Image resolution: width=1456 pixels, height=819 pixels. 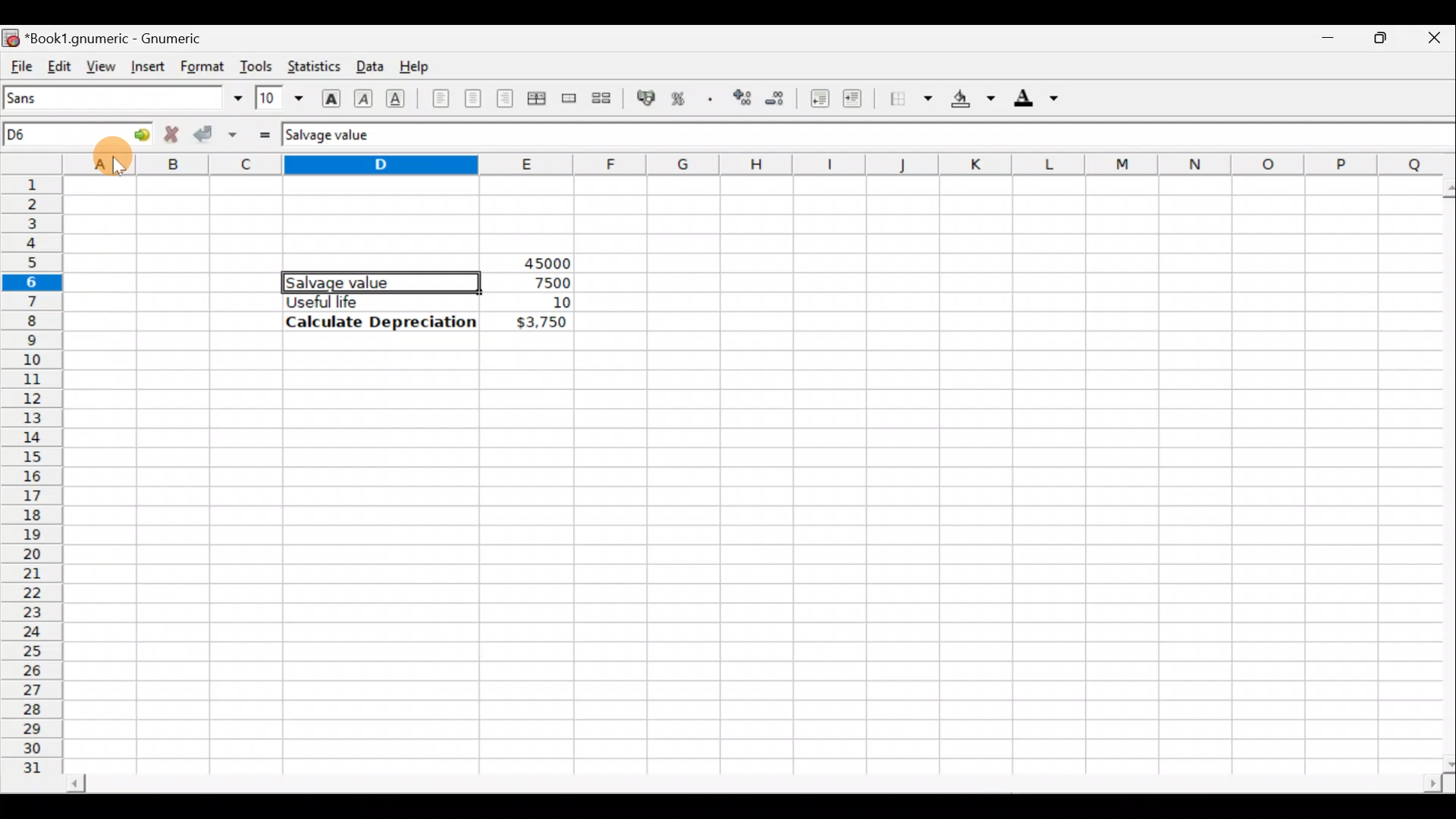 I want to click on Cursor on column A, so click(x=117, y=173).